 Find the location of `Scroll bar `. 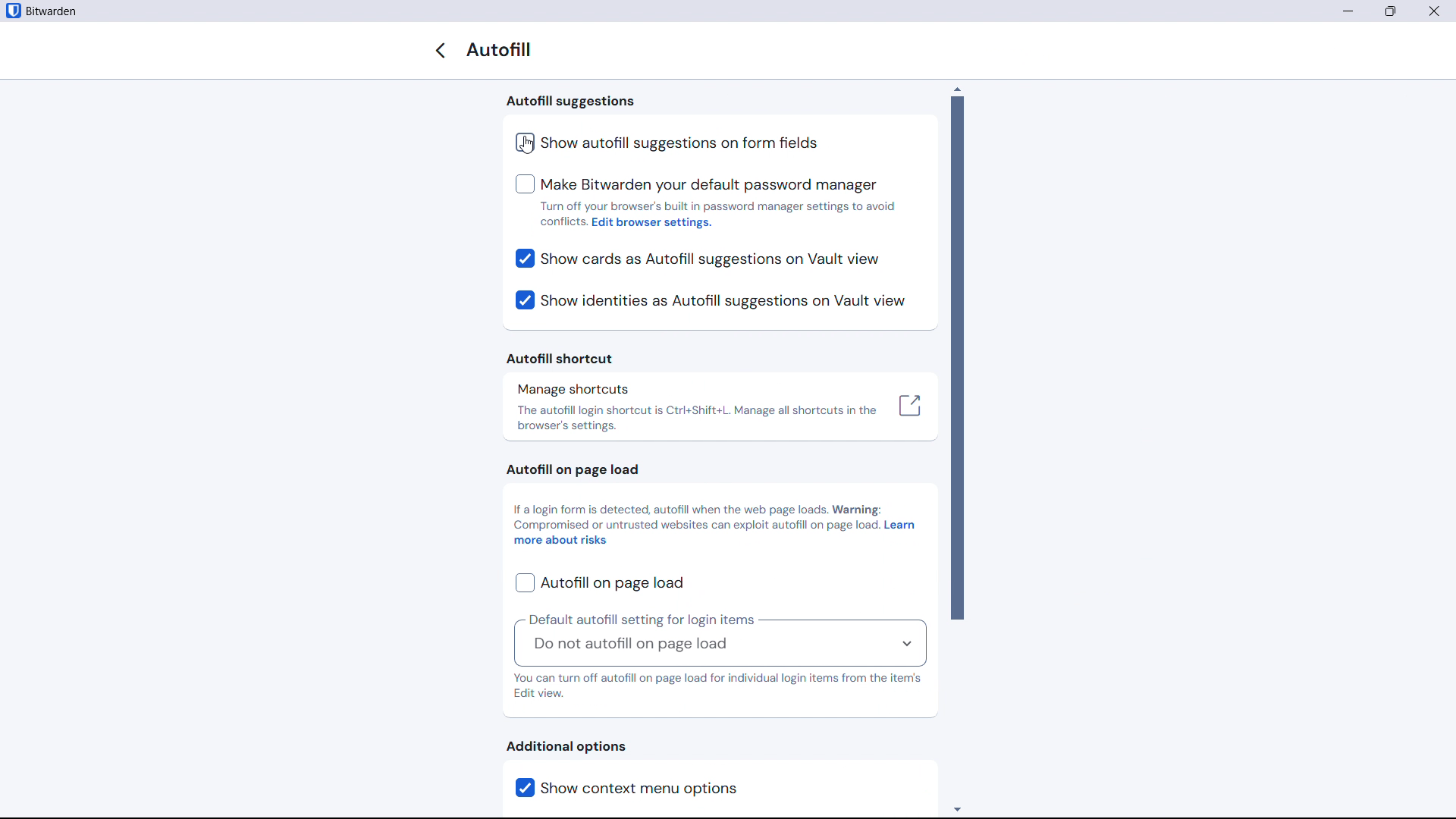

Scroll bar  is located at coordinates (957, 358).